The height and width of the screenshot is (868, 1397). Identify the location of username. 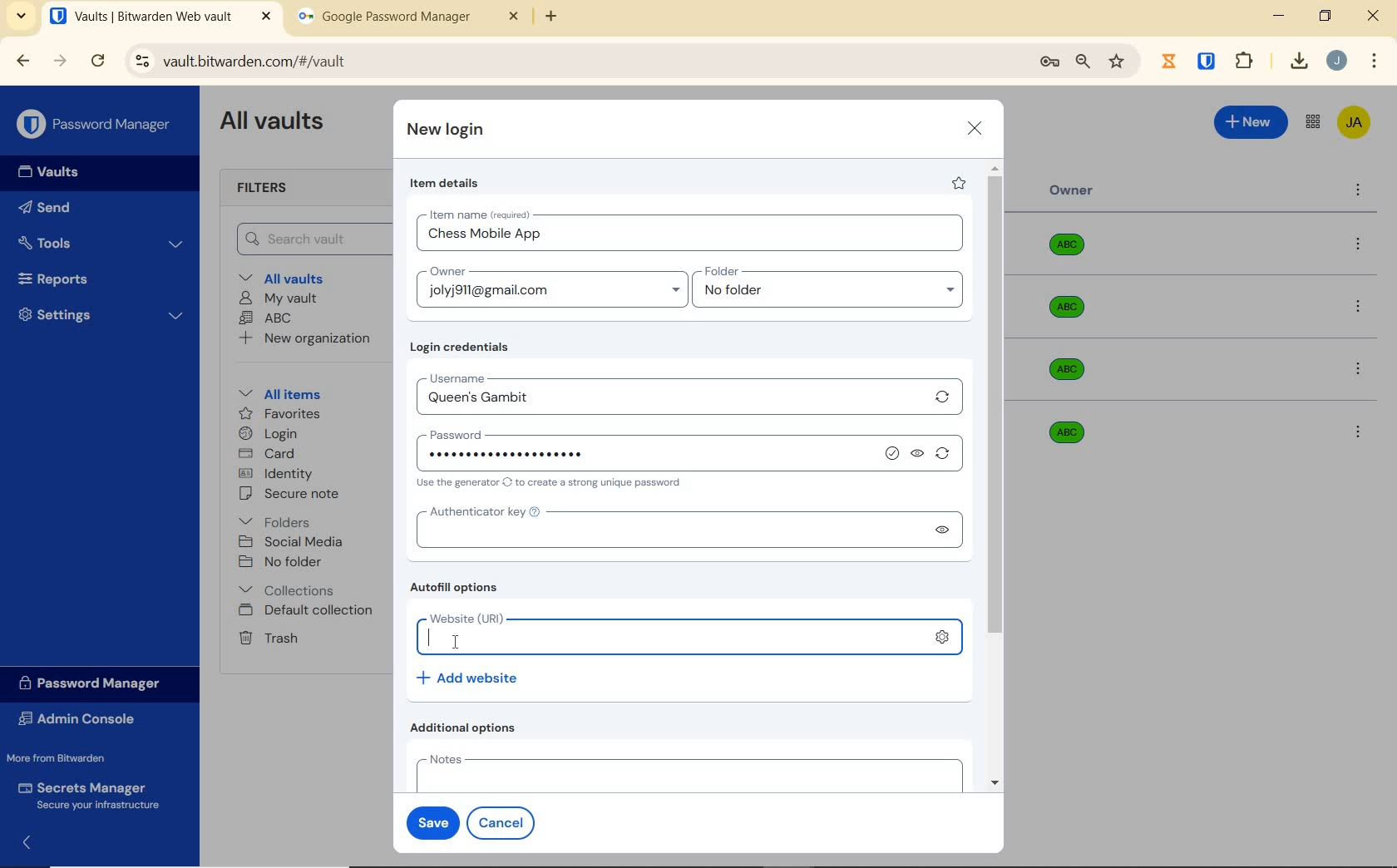
(504, 376).